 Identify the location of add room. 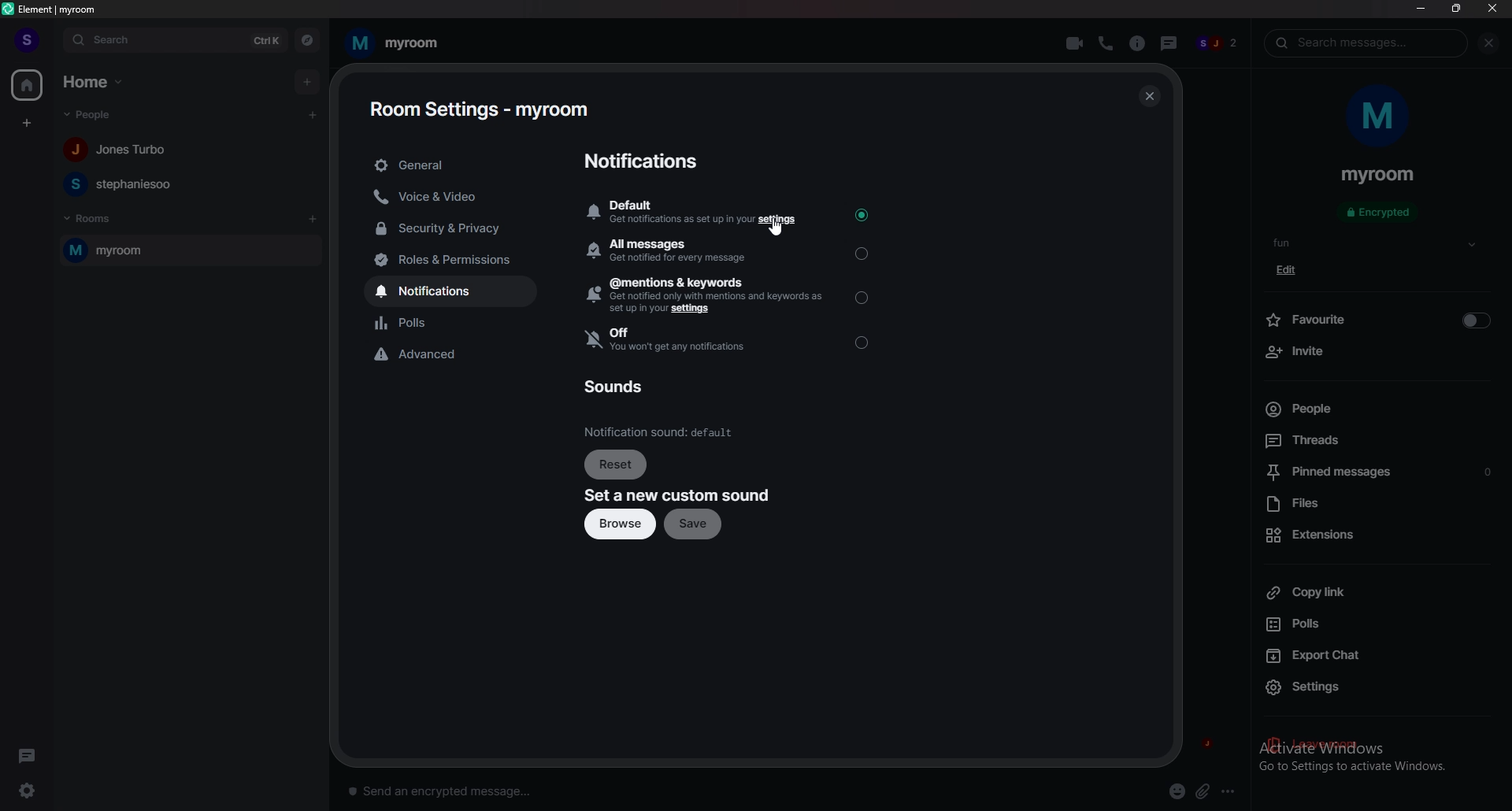
(313, 219).